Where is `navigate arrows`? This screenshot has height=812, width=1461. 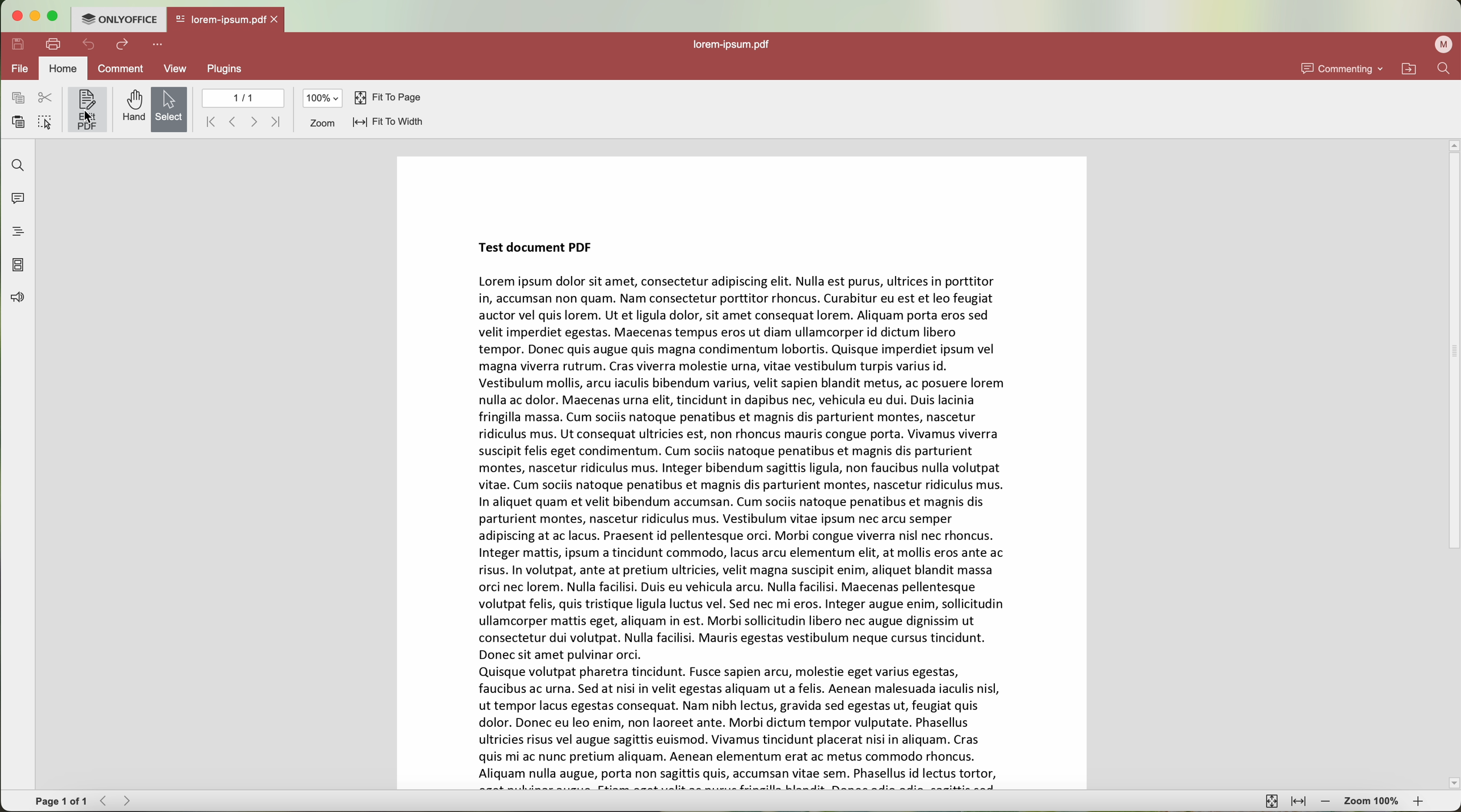 navigate arrows is located at coordinates (115, 802).